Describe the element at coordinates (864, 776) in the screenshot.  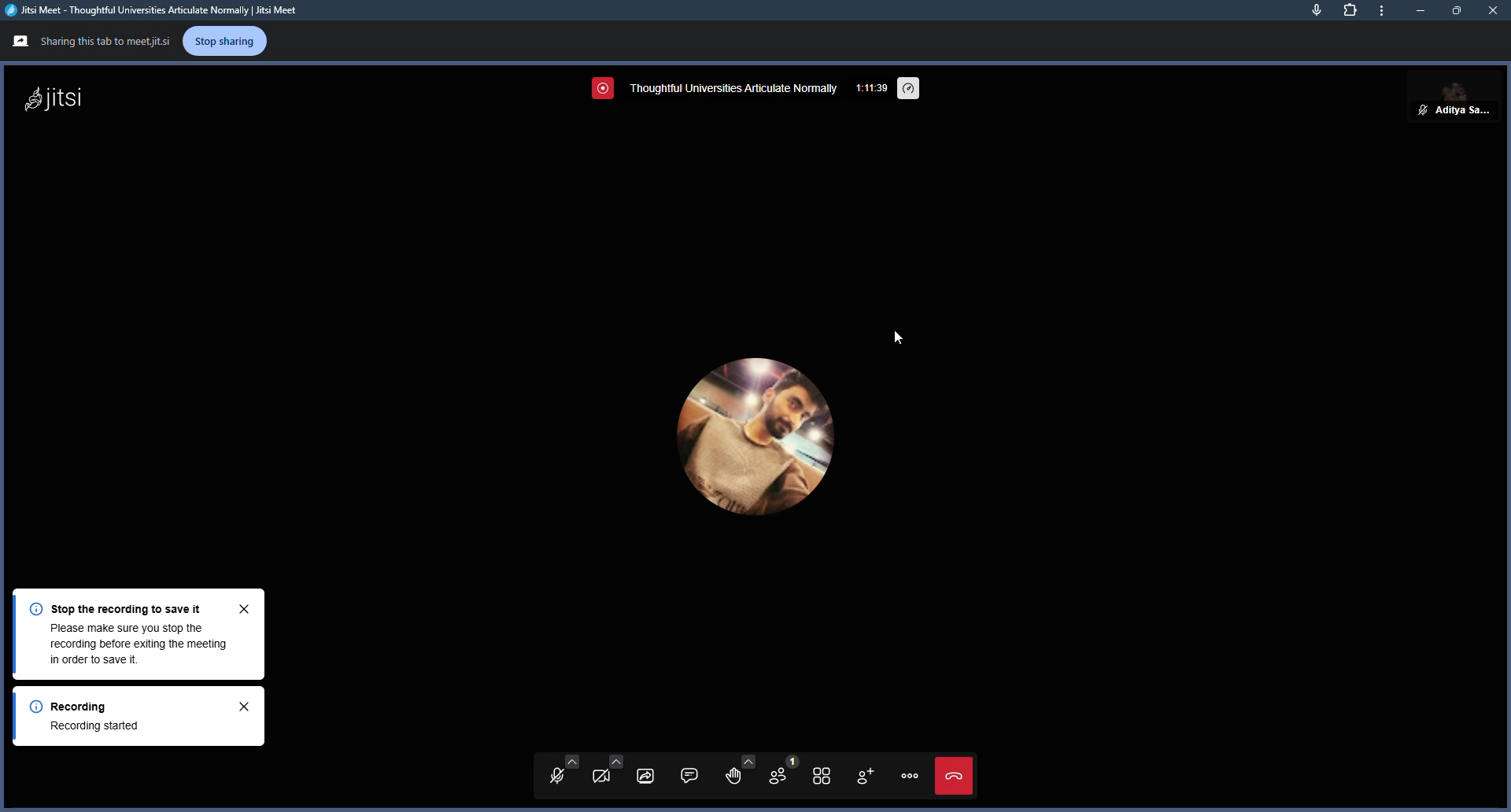
I see `invite people` at that location.